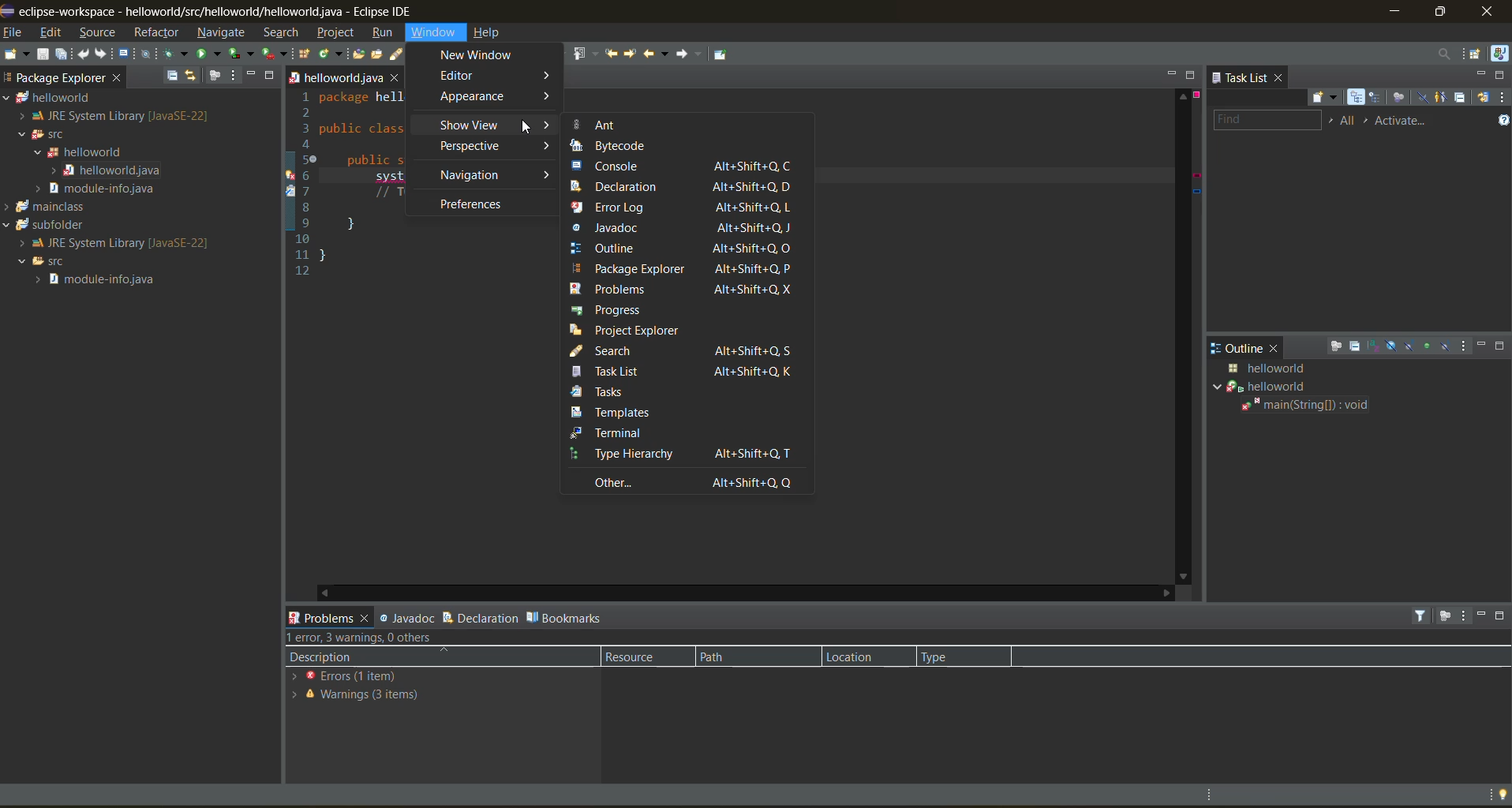 This screenshot has height=808, width=1512. Describe the element at coordinates (617, 411) in the screenshot. I see `templates` at that location.